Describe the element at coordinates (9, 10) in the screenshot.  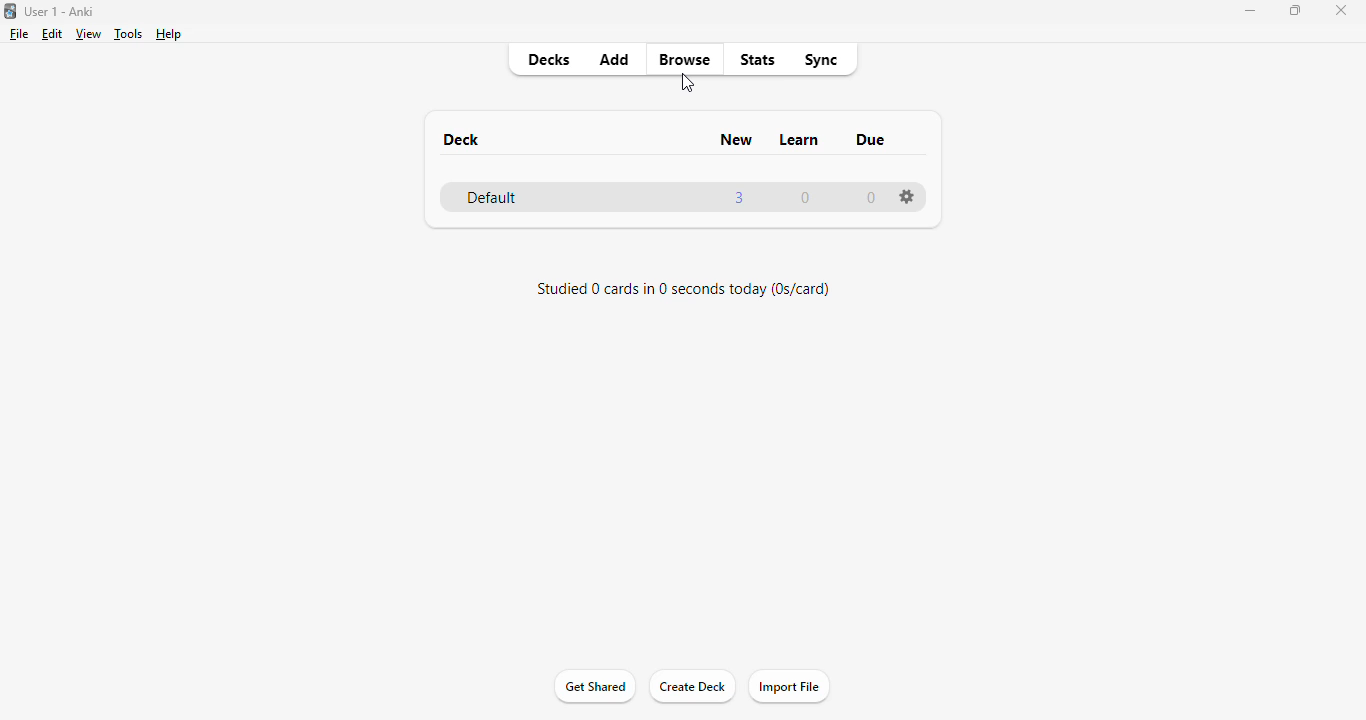
I see `logo` at that location.